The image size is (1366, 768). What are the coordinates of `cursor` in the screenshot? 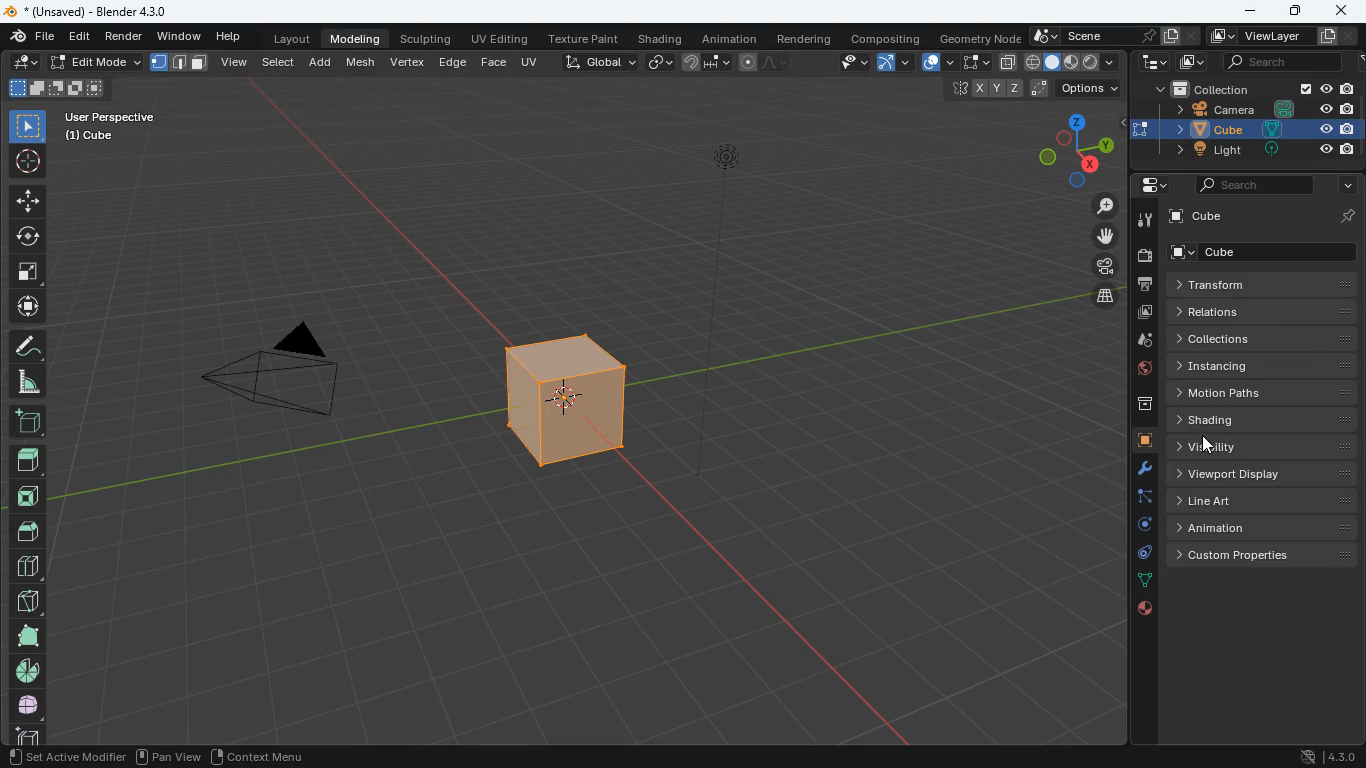 It's located at (1208, 447).